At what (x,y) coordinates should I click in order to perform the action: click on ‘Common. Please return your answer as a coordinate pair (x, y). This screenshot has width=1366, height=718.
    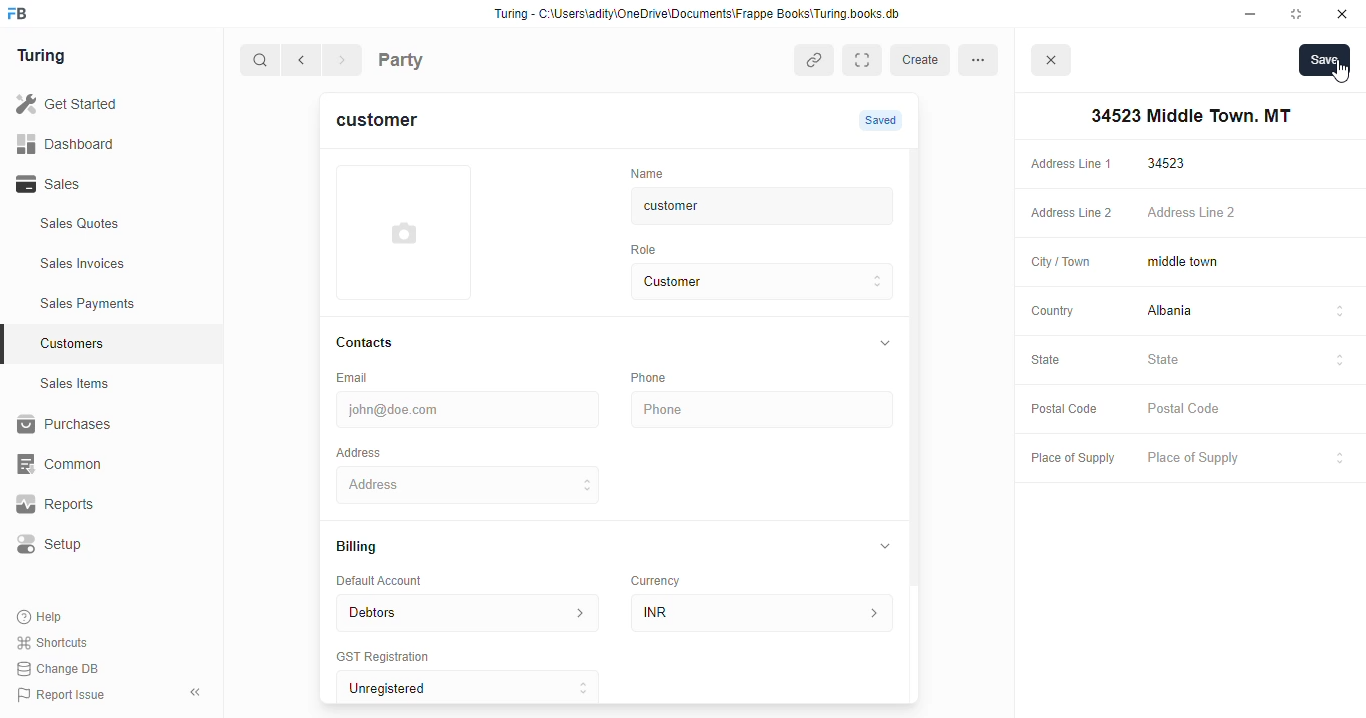
    Looking at the image, I should click on (100, 464).